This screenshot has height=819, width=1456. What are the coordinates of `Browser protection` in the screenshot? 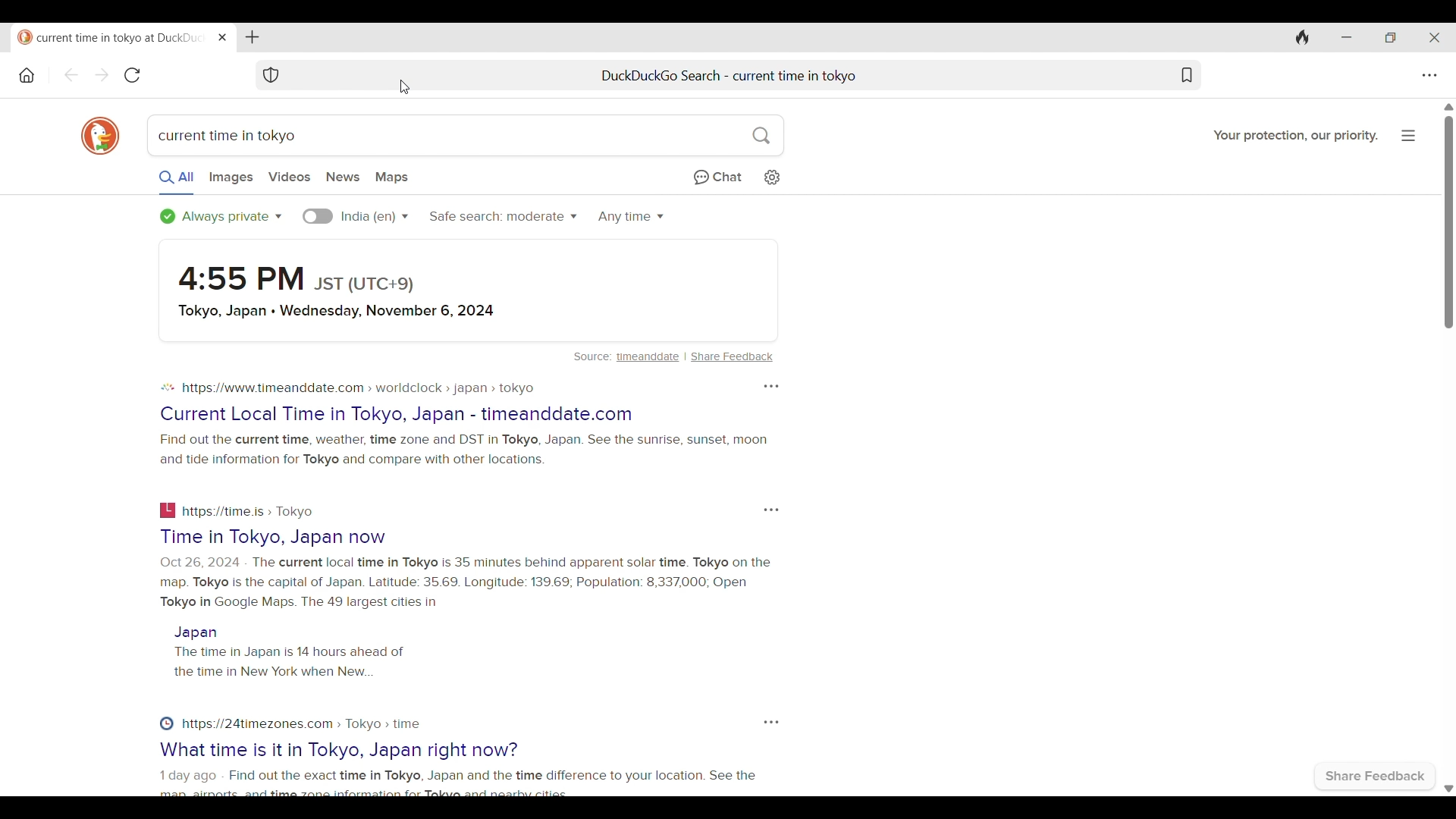 It's located at (271, 75).